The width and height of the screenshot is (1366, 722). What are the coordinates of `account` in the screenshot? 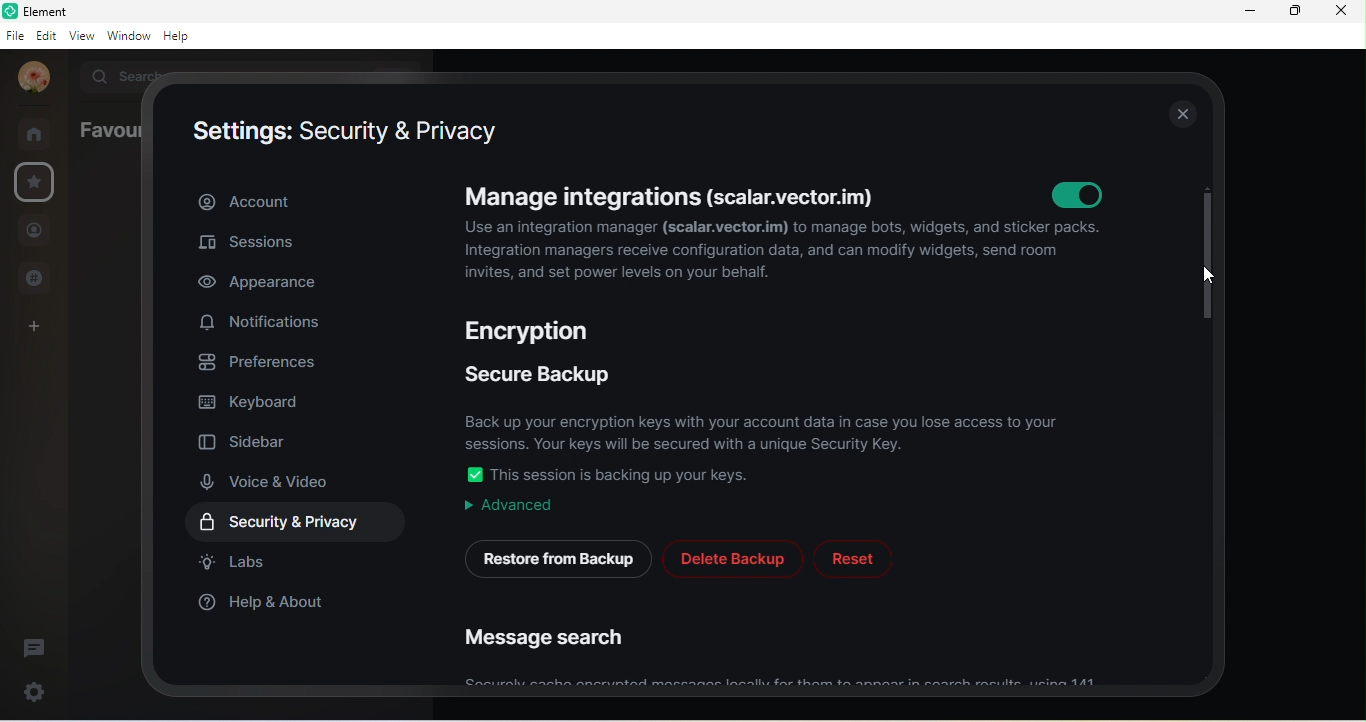 It's located at (31, 79).